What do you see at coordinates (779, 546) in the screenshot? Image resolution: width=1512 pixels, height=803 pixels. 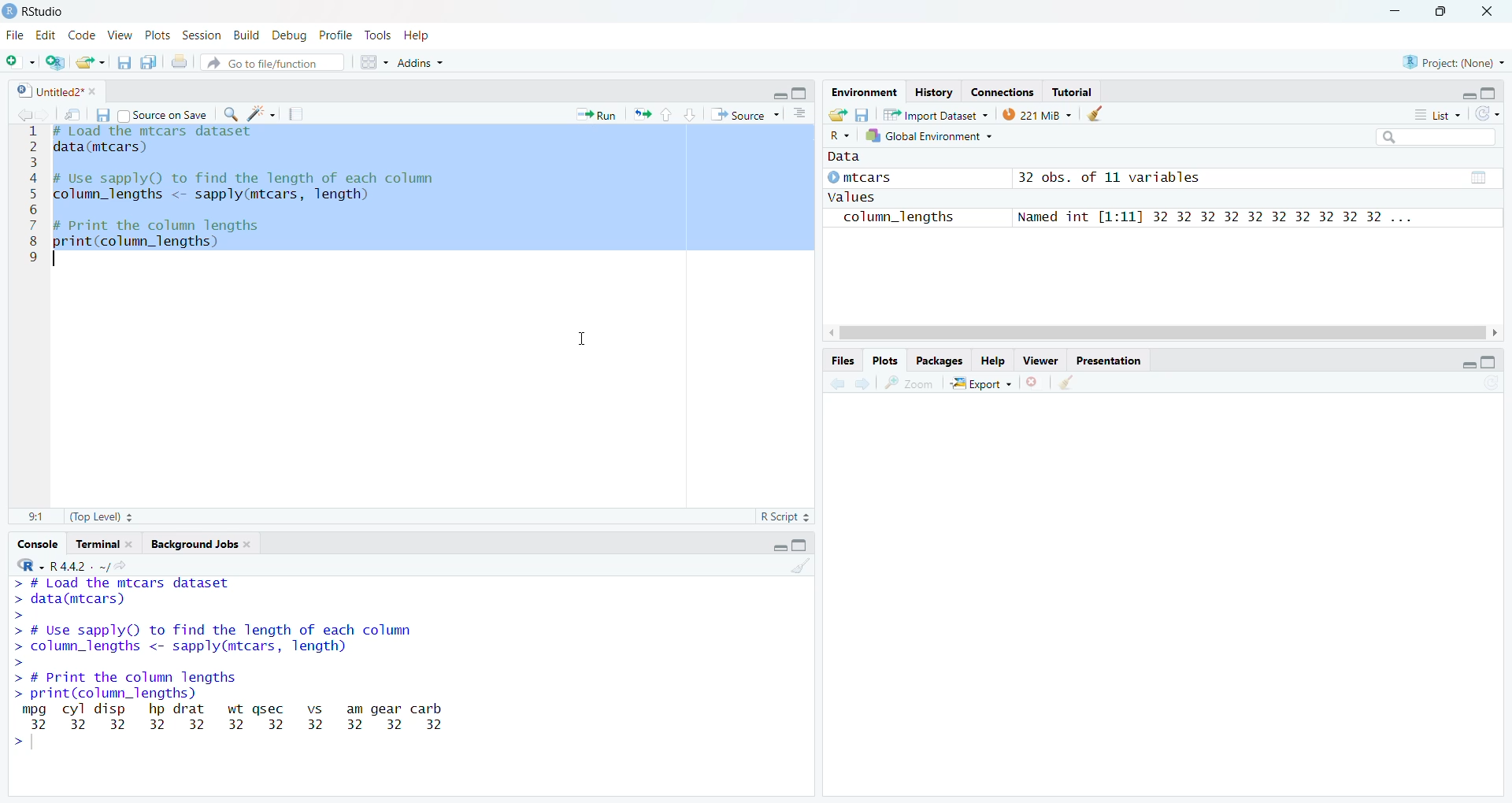 I see `Hide` at bounding box center [779, 546].